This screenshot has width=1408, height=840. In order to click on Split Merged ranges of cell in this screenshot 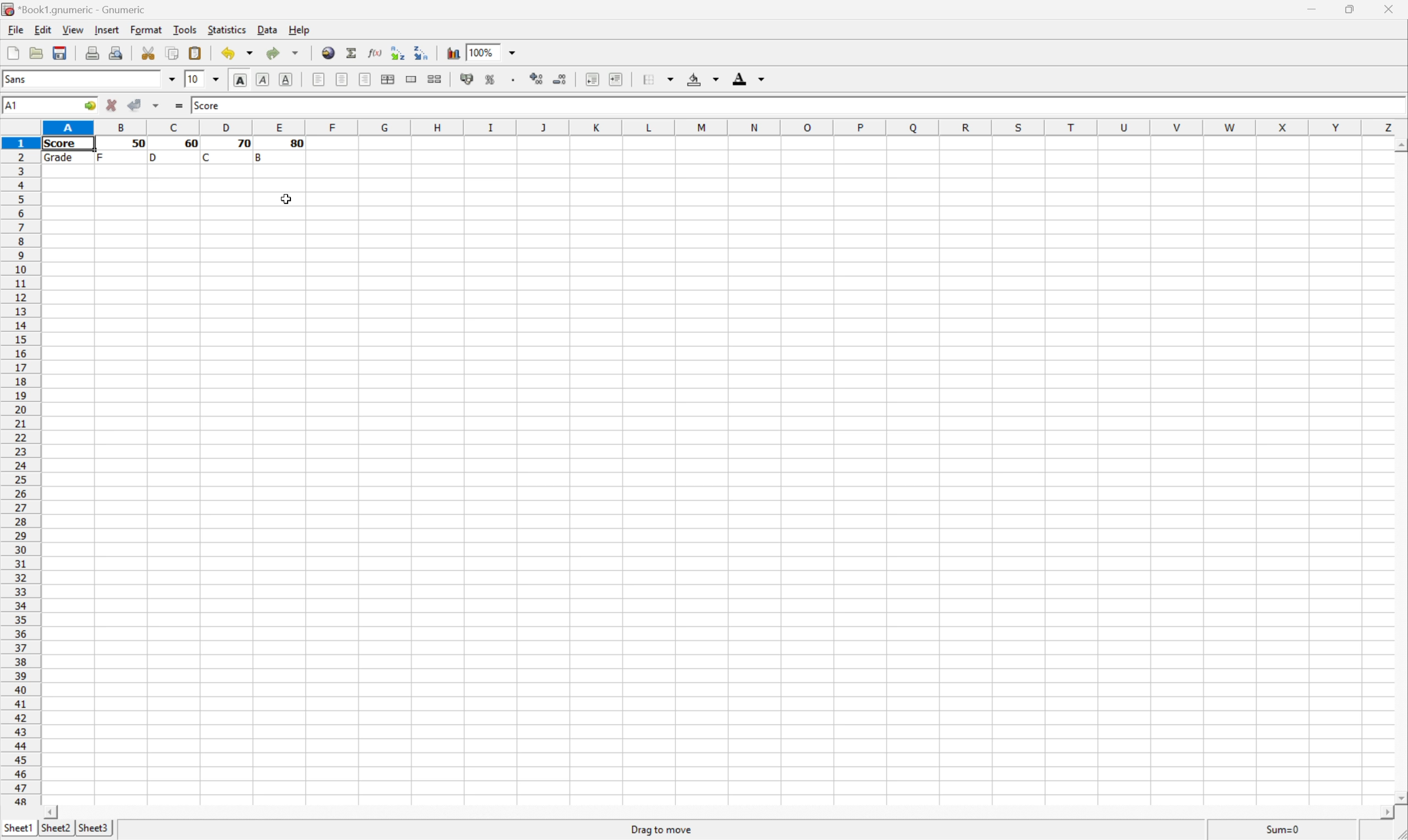, I will do `click(433, 81)`.